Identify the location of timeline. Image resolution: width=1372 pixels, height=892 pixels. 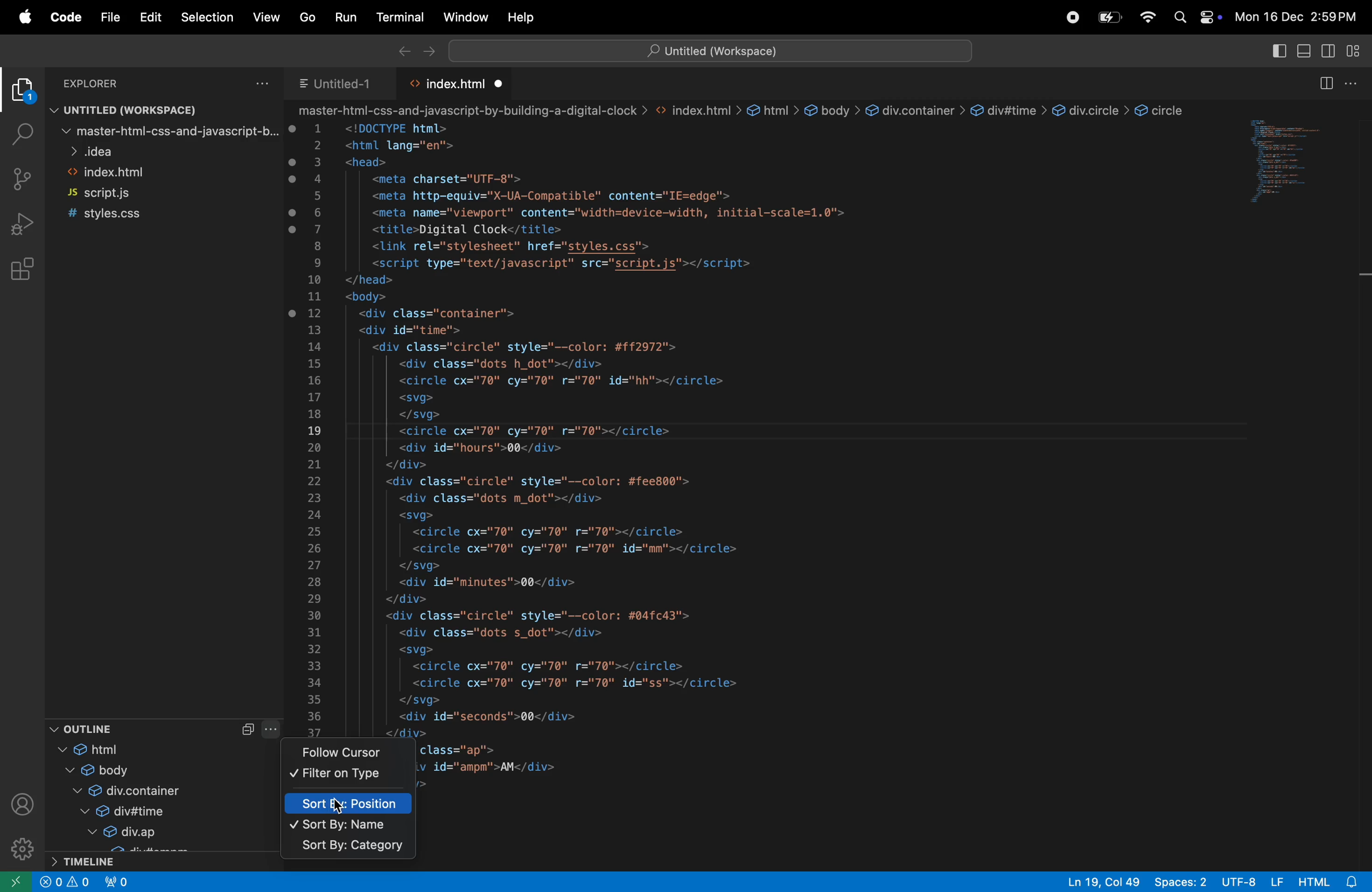
(161, 861).